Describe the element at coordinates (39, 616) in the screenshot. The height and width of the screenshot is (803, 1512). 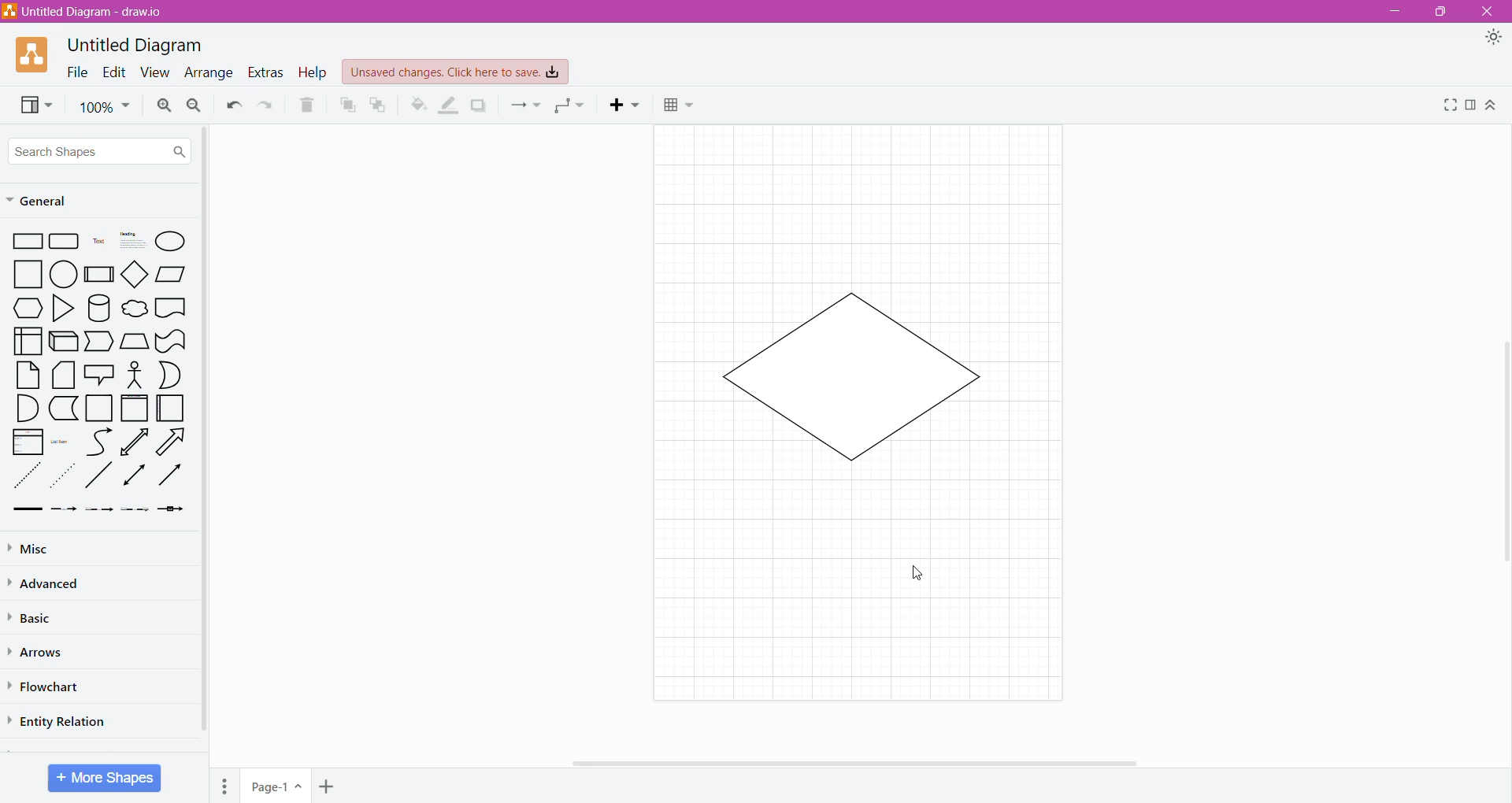
I see `Basic` at that location.